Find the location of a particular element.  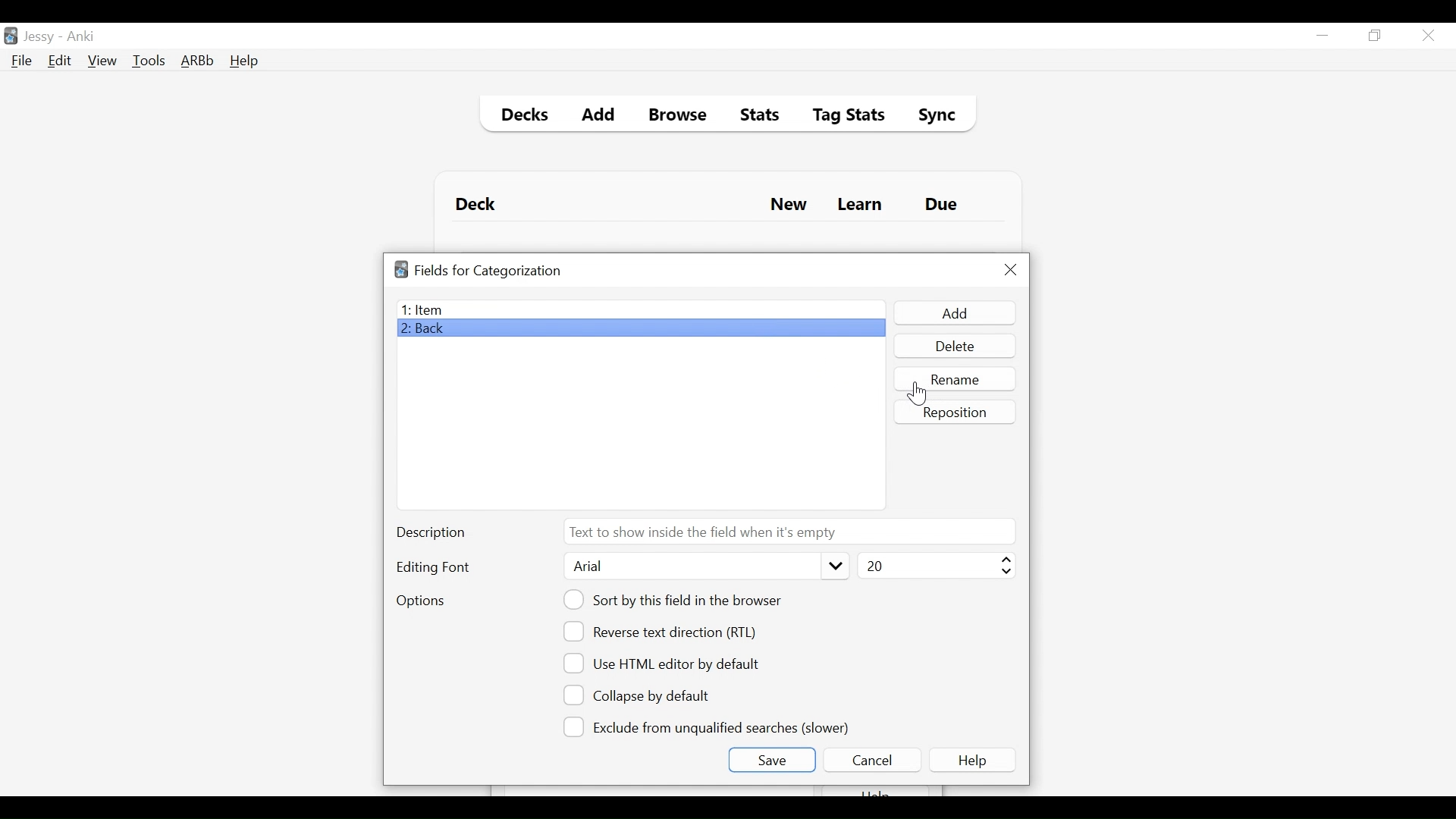

Cursor is located at coordinates (917, 394).